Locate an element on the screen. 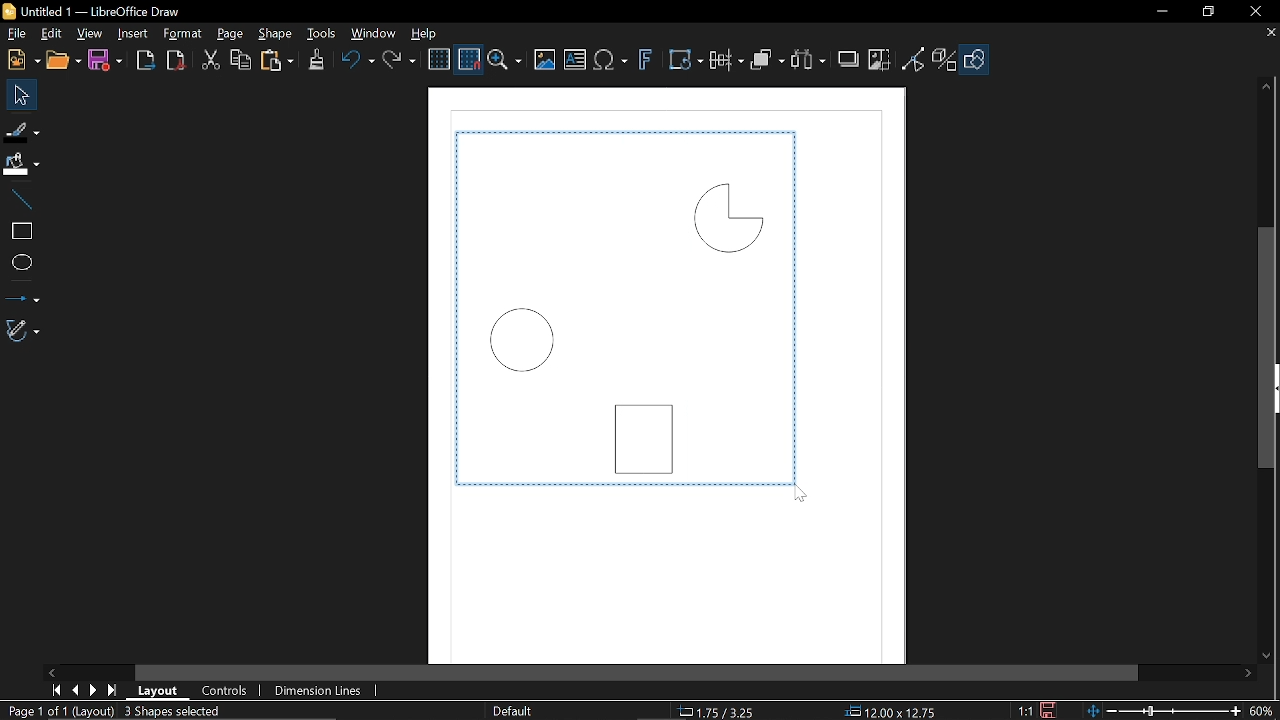 The image size is (1280, 720). Move up is located at coordinates (1270, 88).